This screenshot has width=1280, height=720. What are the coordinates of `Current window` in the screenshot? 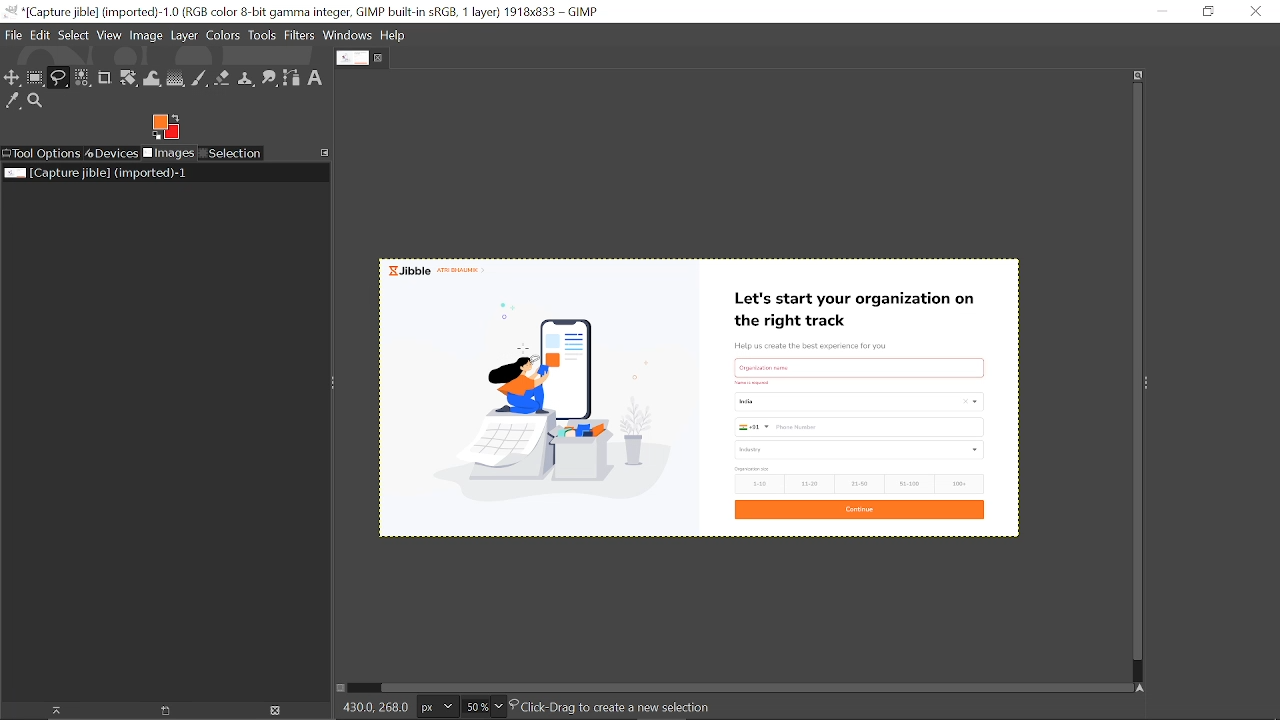 It's located at (304, 12).